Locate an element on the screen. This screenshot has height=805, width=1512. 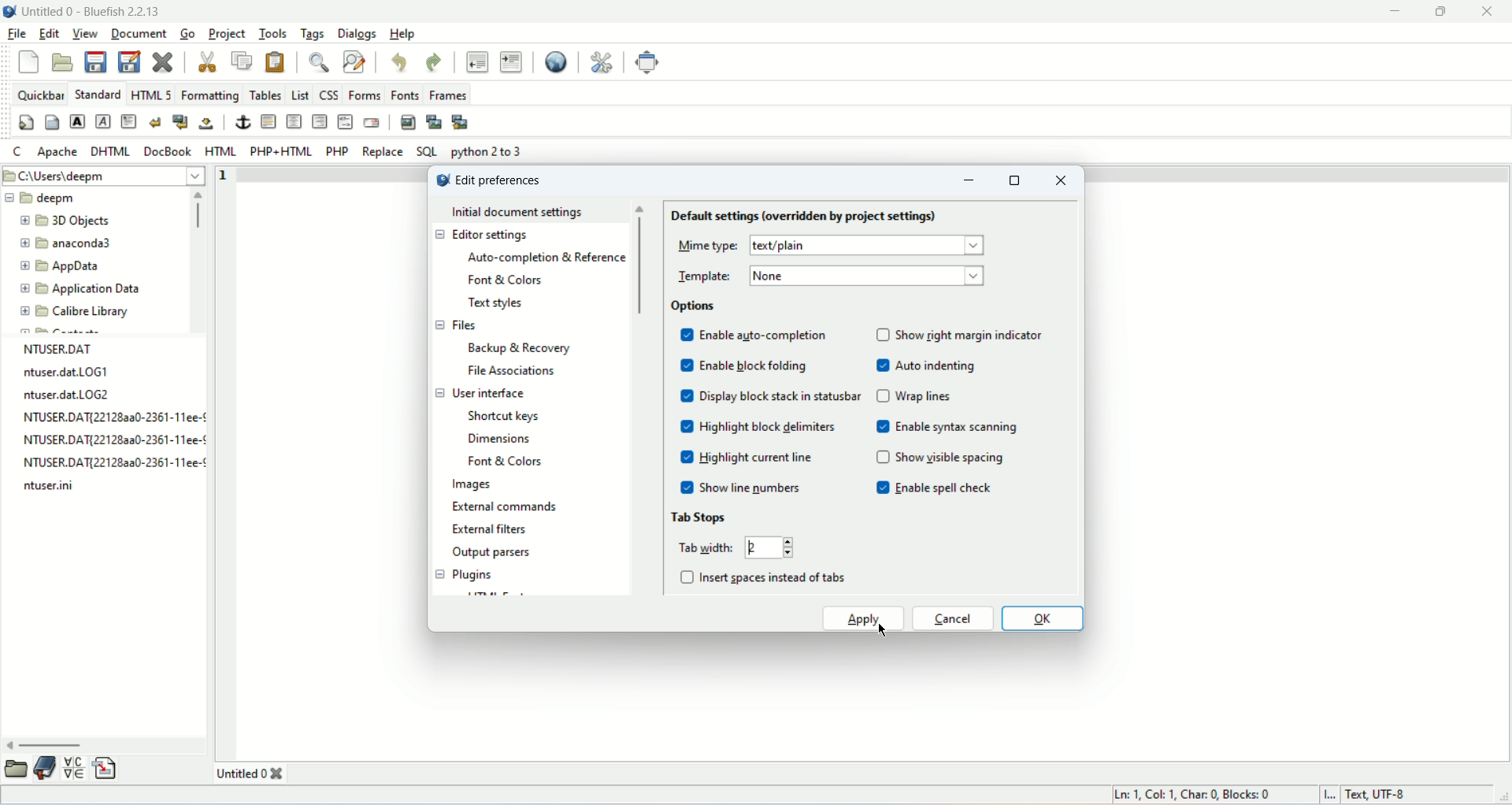
highlight current line is located at coordinates (755, 459).